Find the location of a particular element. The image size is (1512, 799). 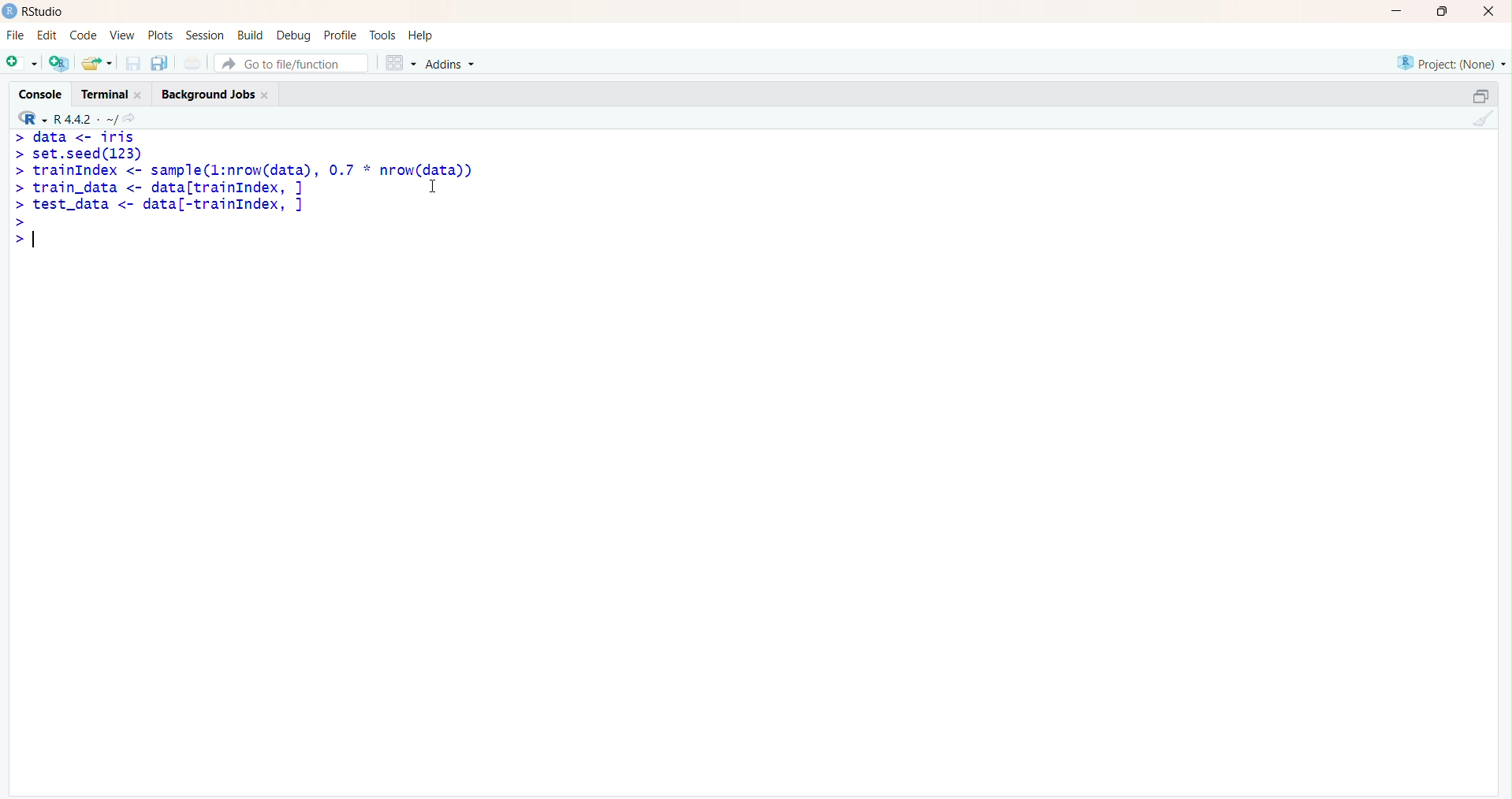

set.seed(ls3)
trainIndex <- sample(l:nrow(data), 0.7 * nrow(data))
train_data <- data[trainIndex, ] I
test_data <- data[-trainIndex, ]

| is located at coordinates (267, 190).